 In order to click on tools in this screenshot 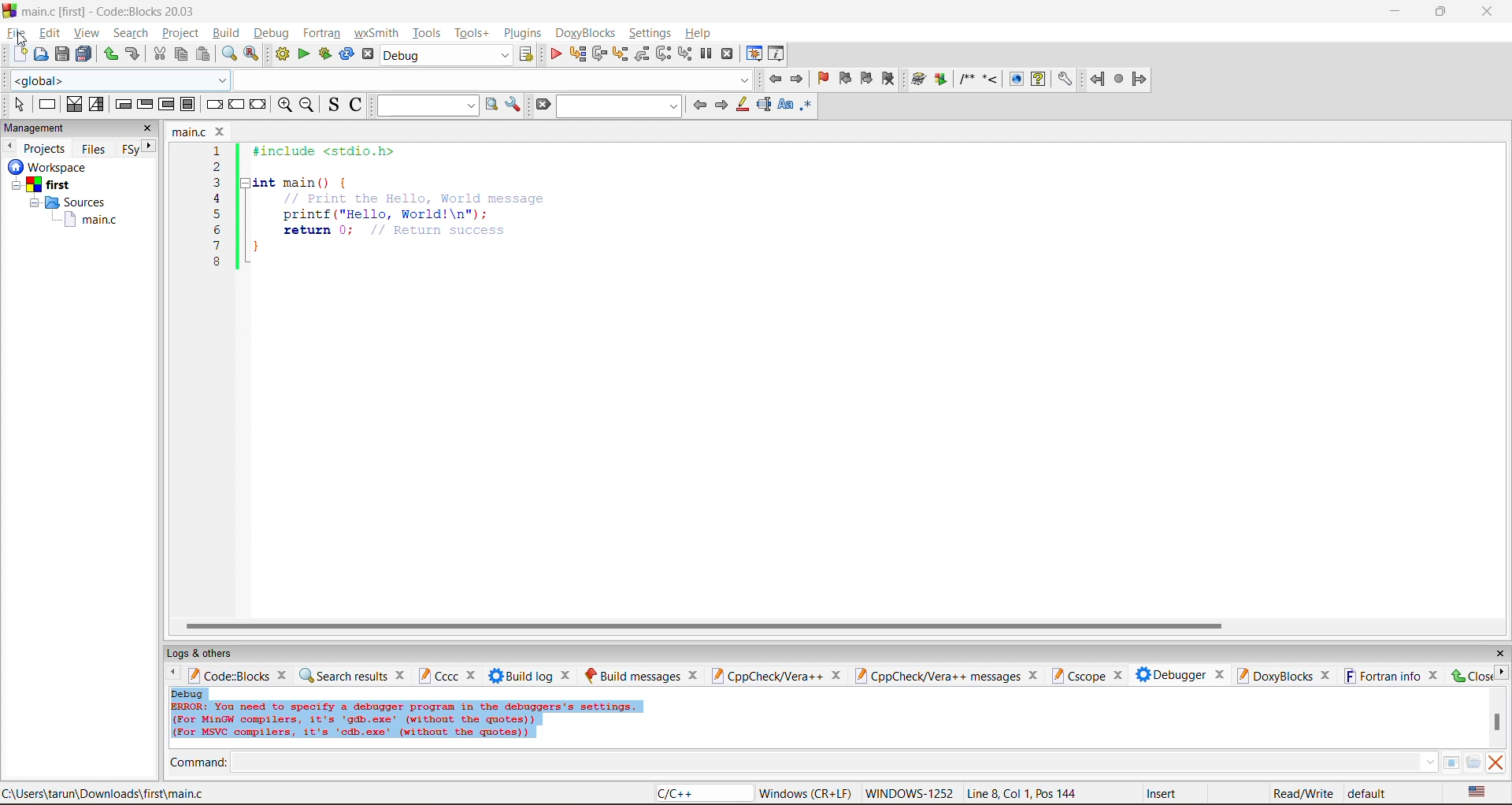, I will do `click(428, 32)`.